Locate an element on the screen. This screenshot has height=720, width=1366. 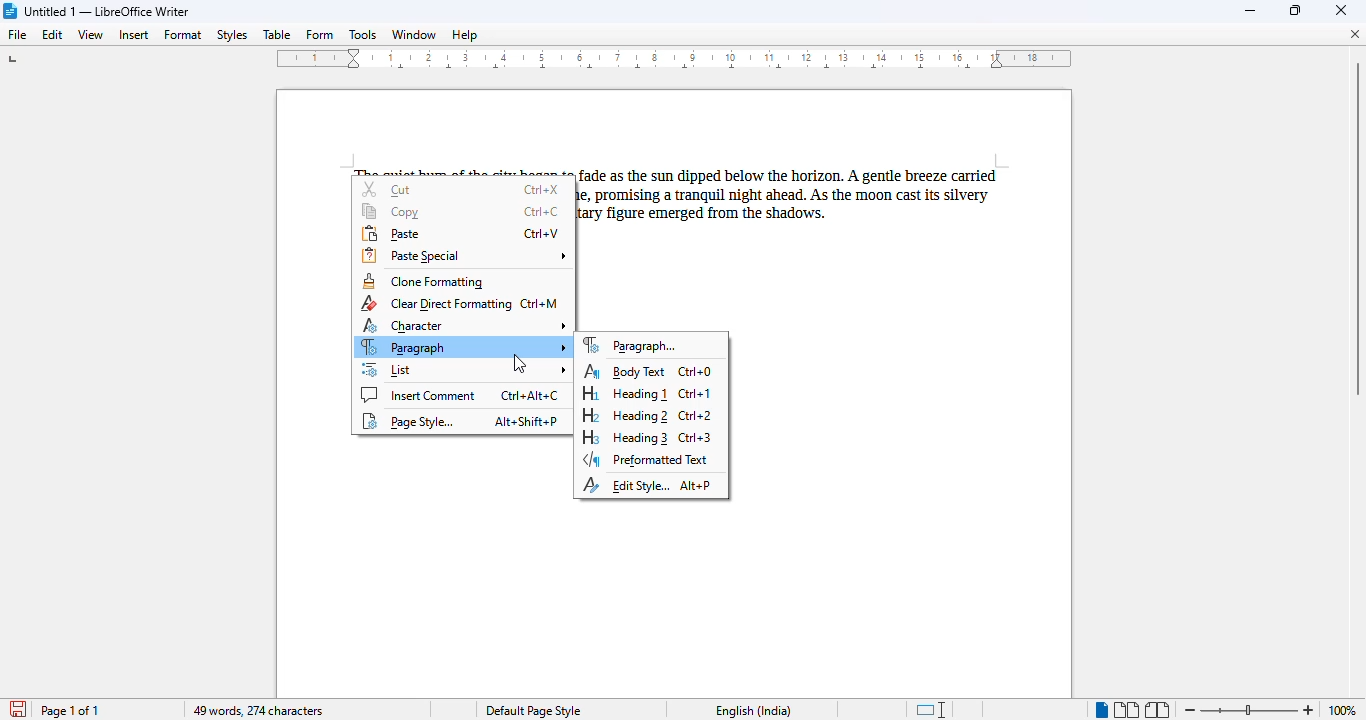
close document is located at coordinates (1355, 34).